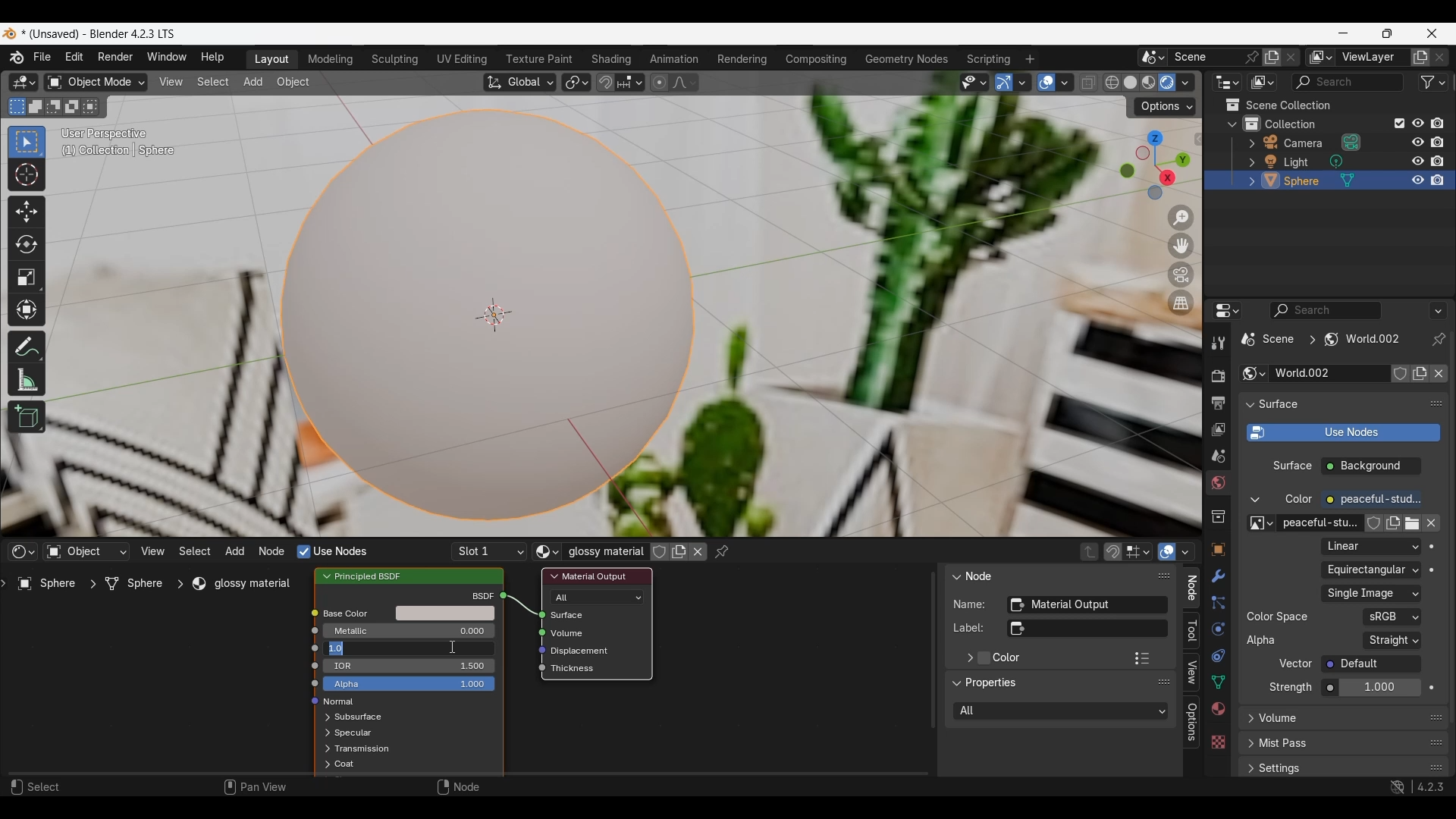 The height and width of the screenshot is (819, 1456). What do you see at coordinates (234, 551) in the screenshot?
I see `Add menu` at bounding box center [234, 551].